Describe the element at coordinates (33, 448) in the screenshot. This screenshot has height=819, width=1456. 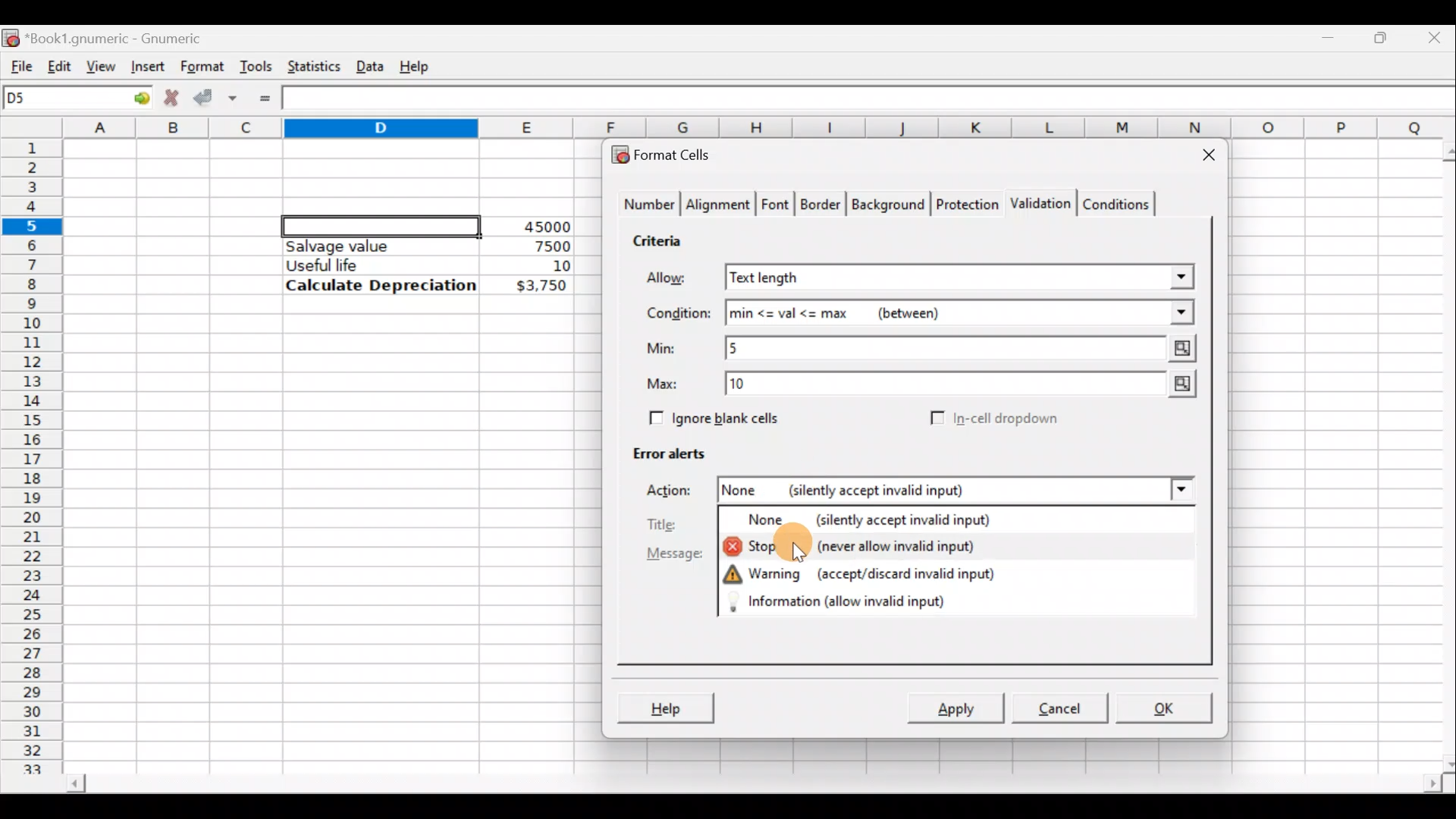
I see `Rows` at that location.